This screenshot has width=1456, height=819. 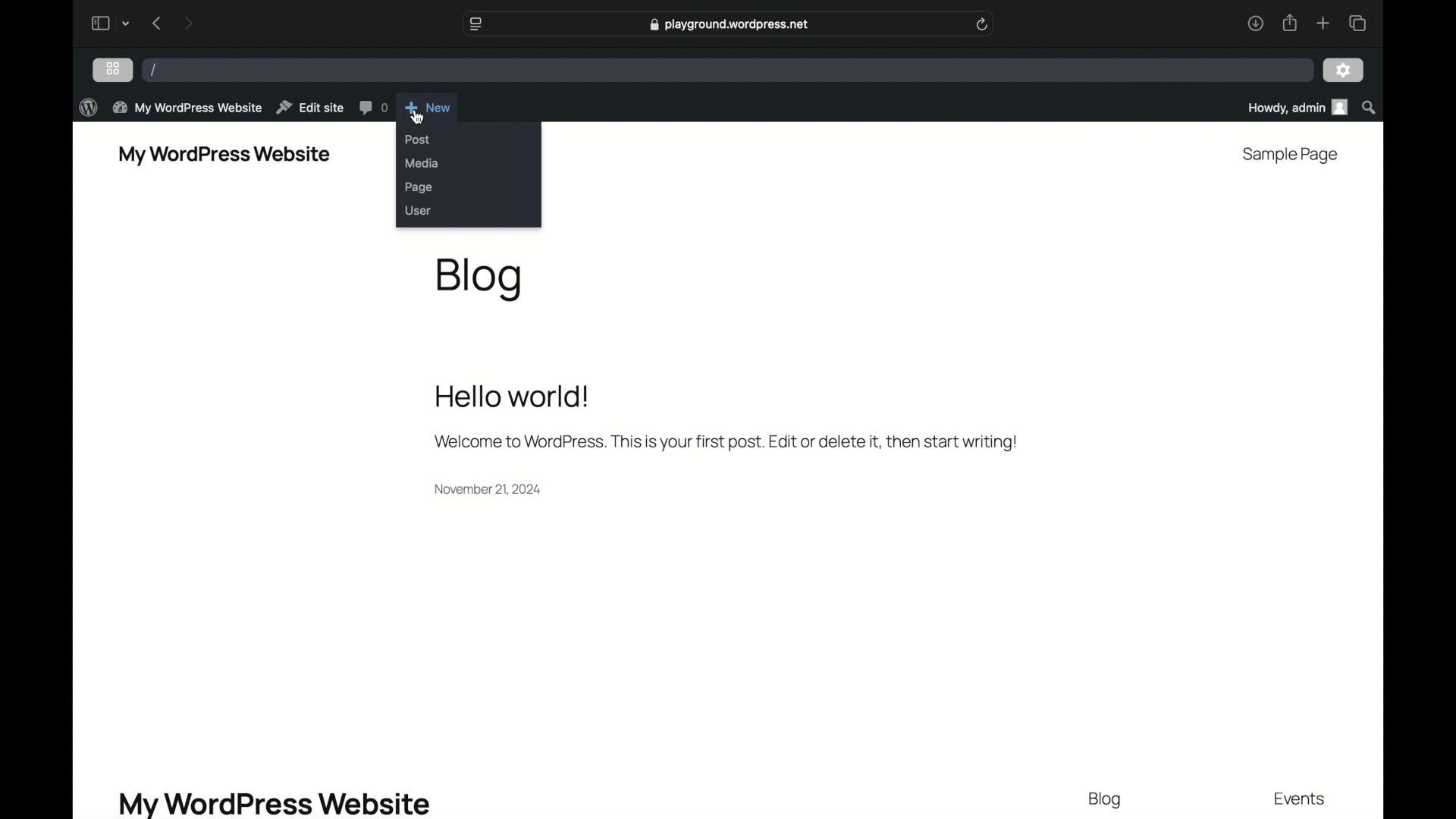 What do you see at coordinates (480, 280) in the screenshot?
I see `blog` at bounding box center [480, 280].